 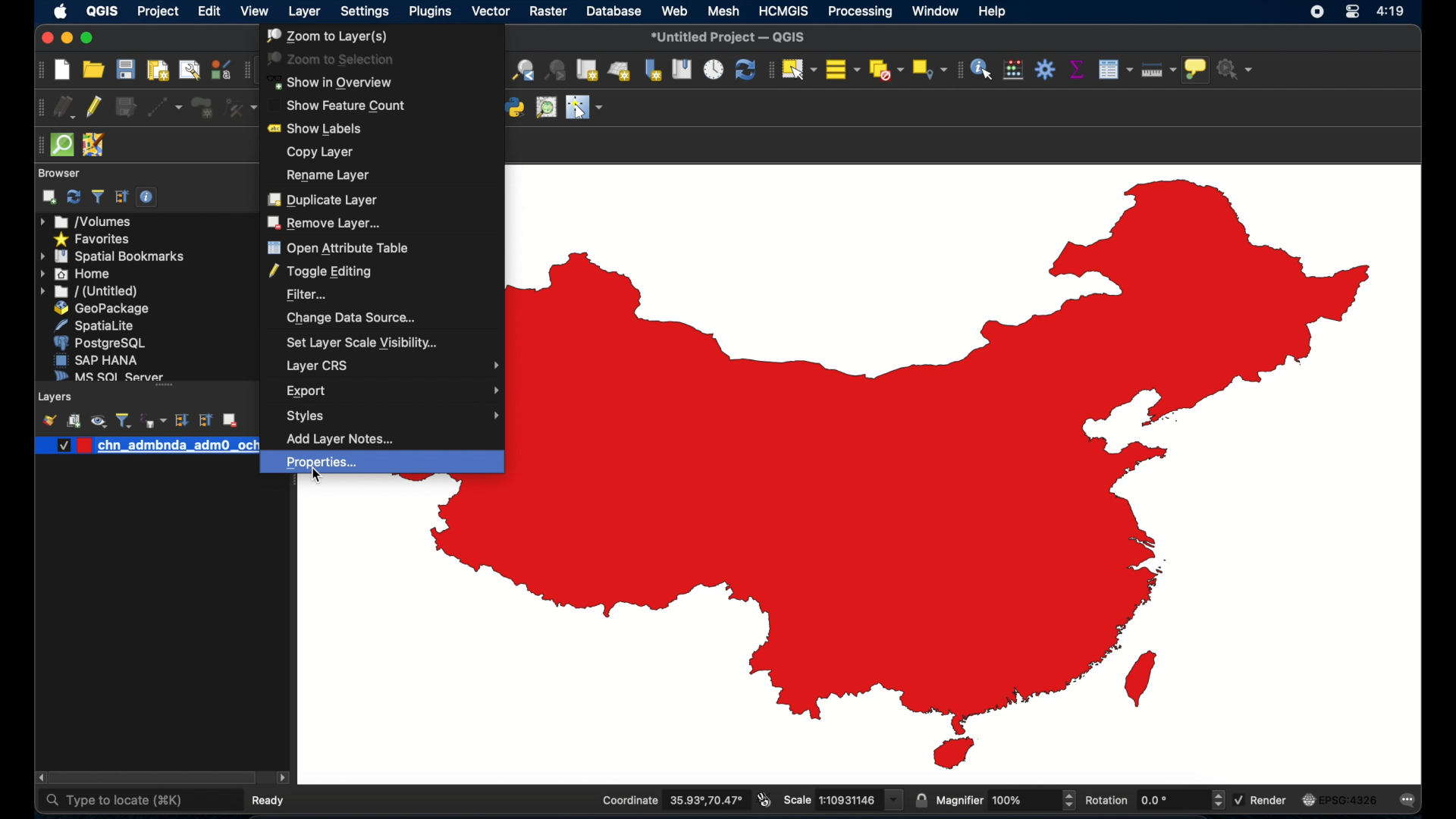 I want to click on export menu, so click(x=392, y=391).